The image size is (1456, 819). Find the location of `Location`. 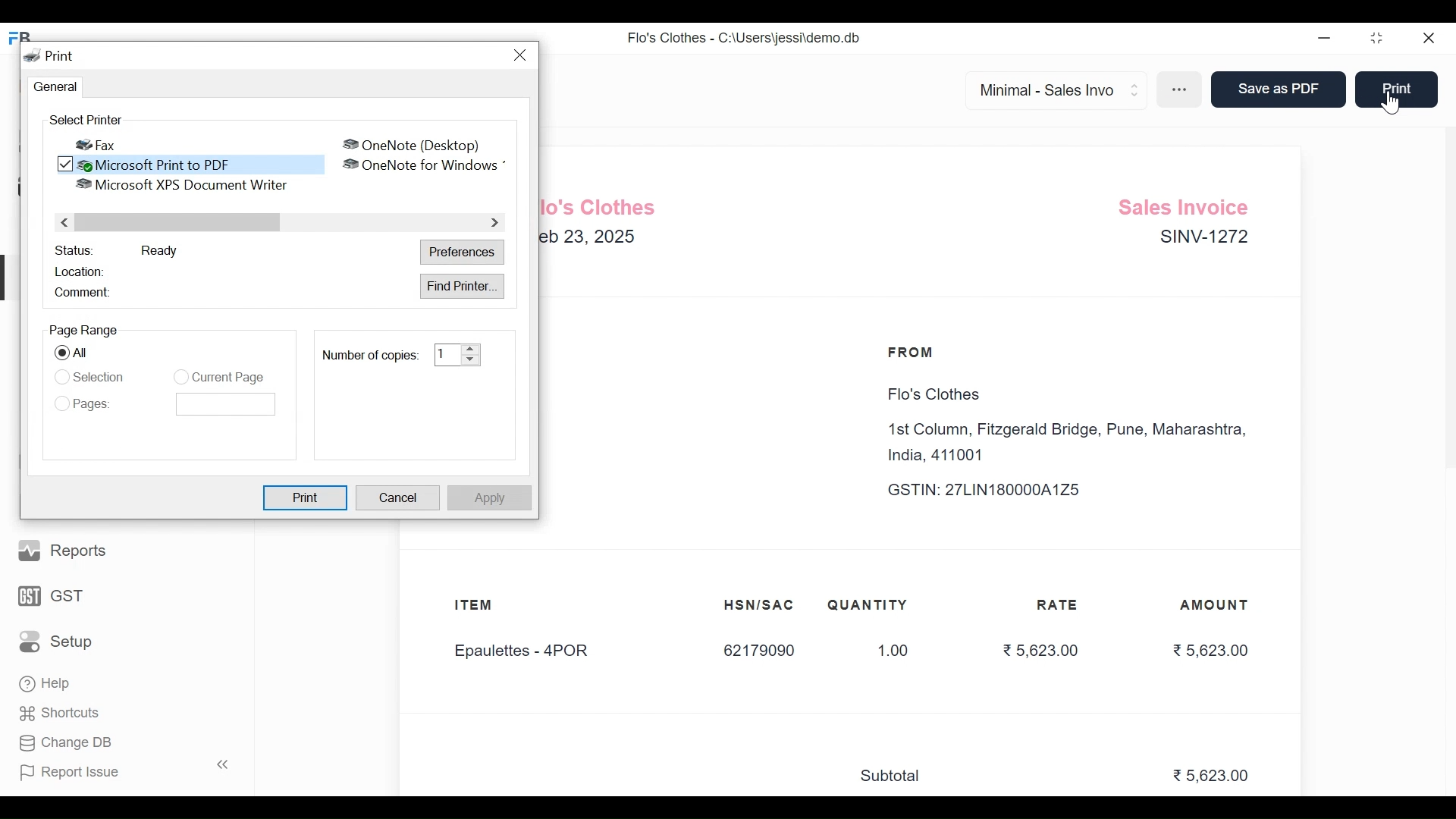

Location is located at coordinates (83, 270).